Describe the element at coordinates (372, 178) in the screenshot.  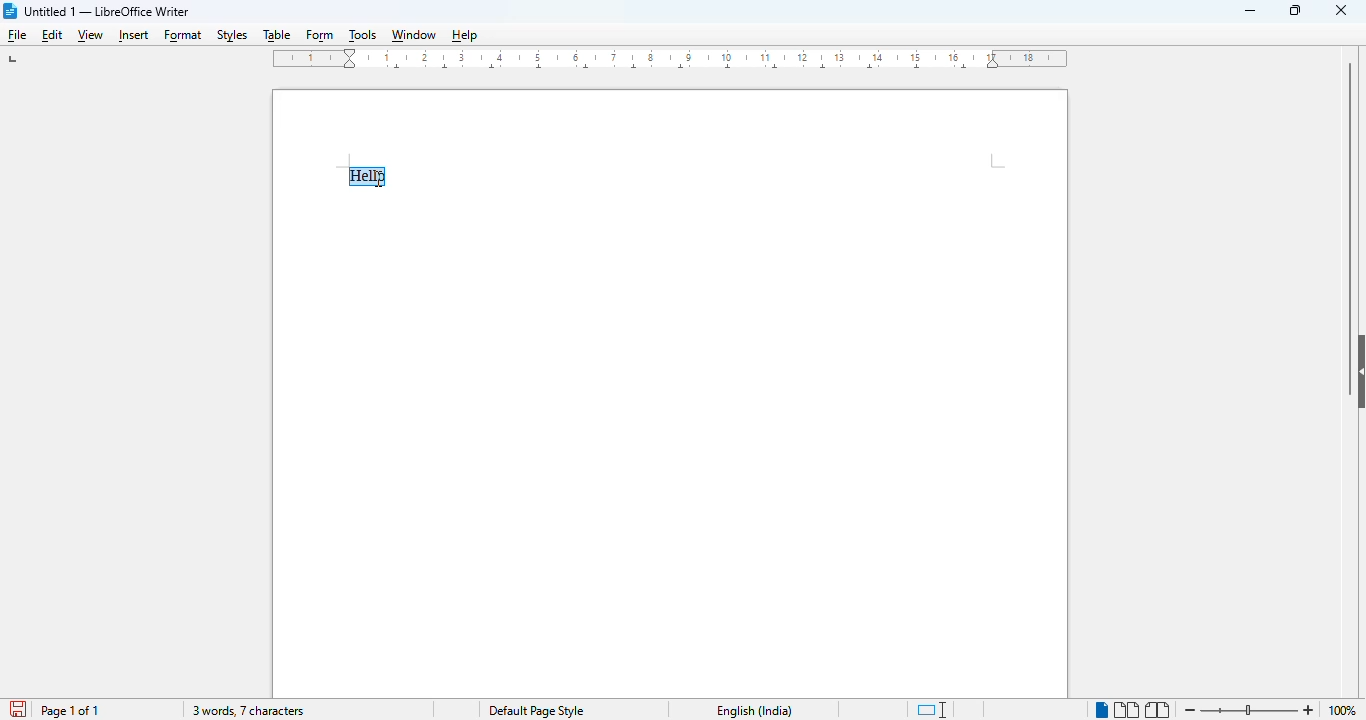
I see `hotkey (Ctrl+alt+C) on selected text` at that location.